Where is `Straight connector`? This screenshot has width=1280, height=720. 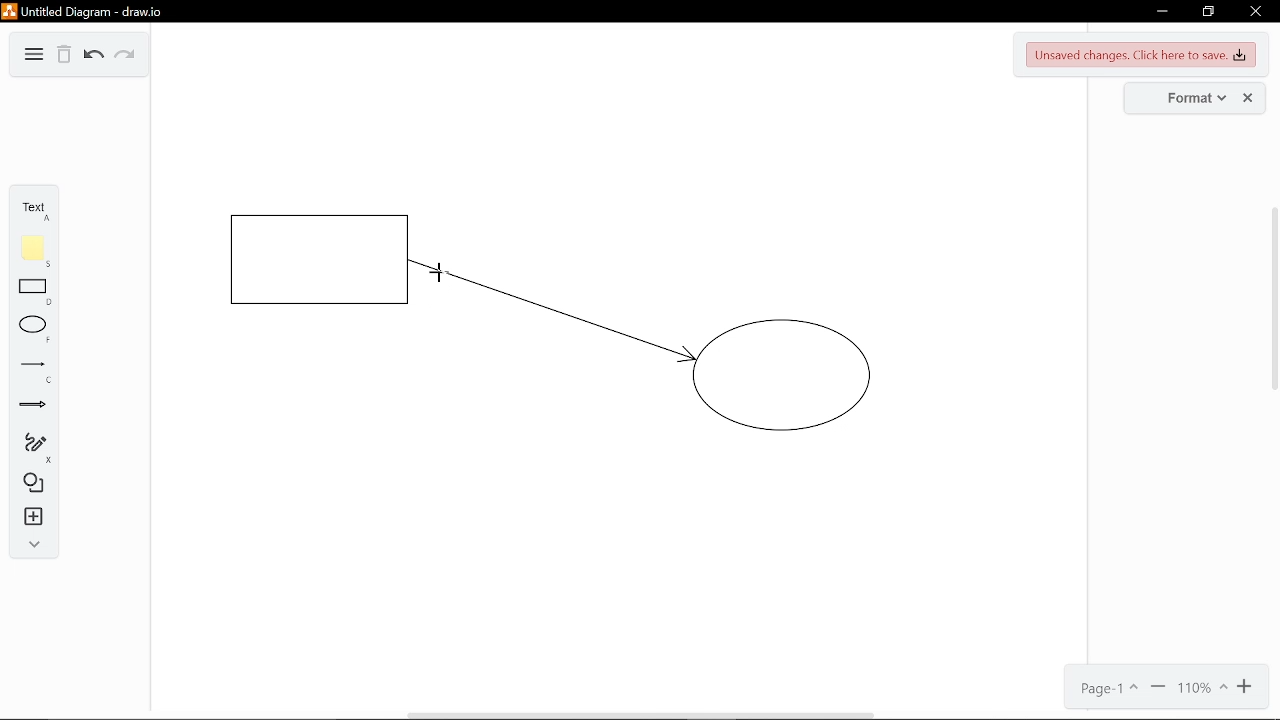
Straight connector is located at coordinates (551, 327).